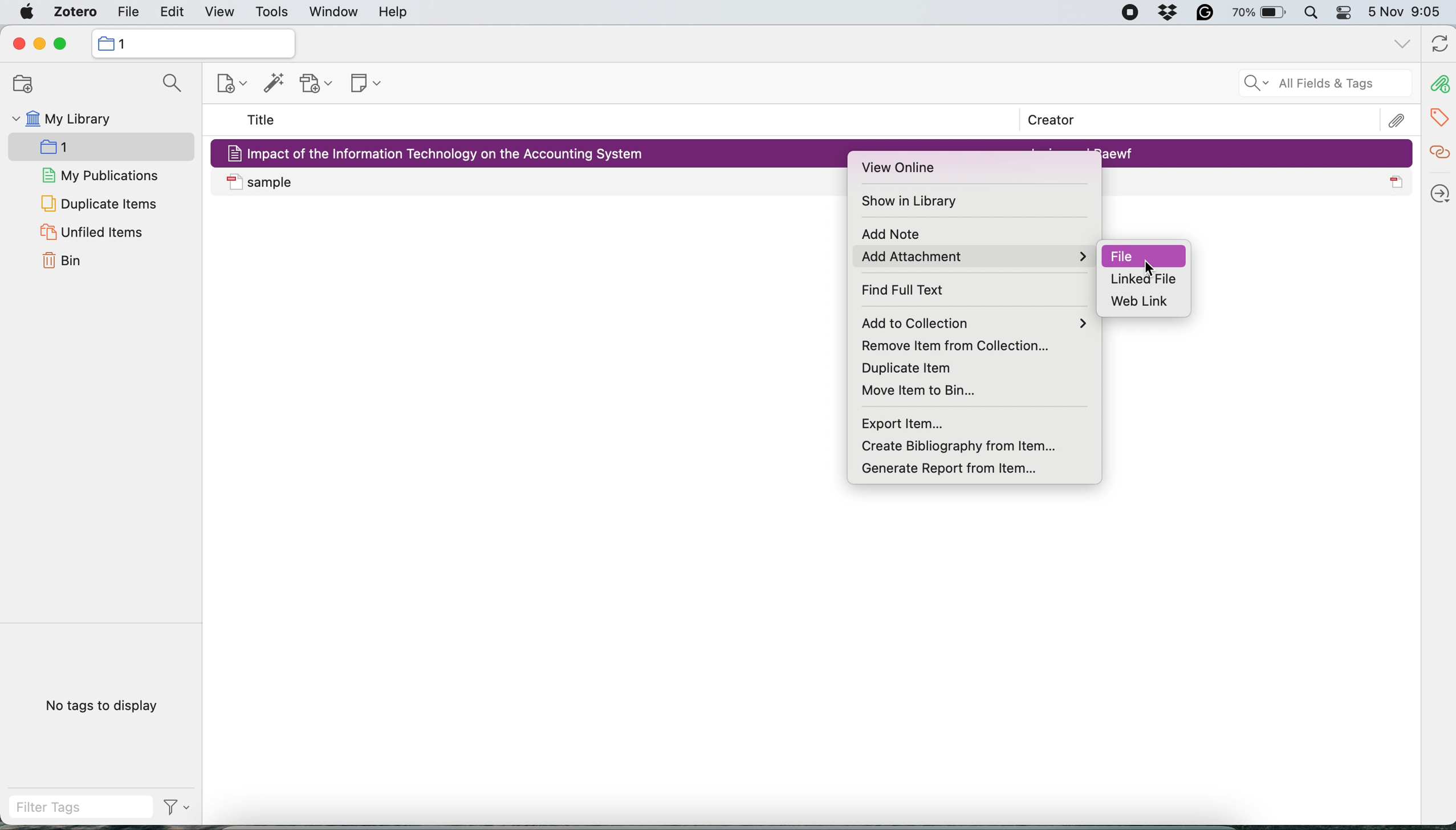  What do you see at coordinates (979, 323) in the screenshot?
I see `add to collection` at bounding box center [979, 323].